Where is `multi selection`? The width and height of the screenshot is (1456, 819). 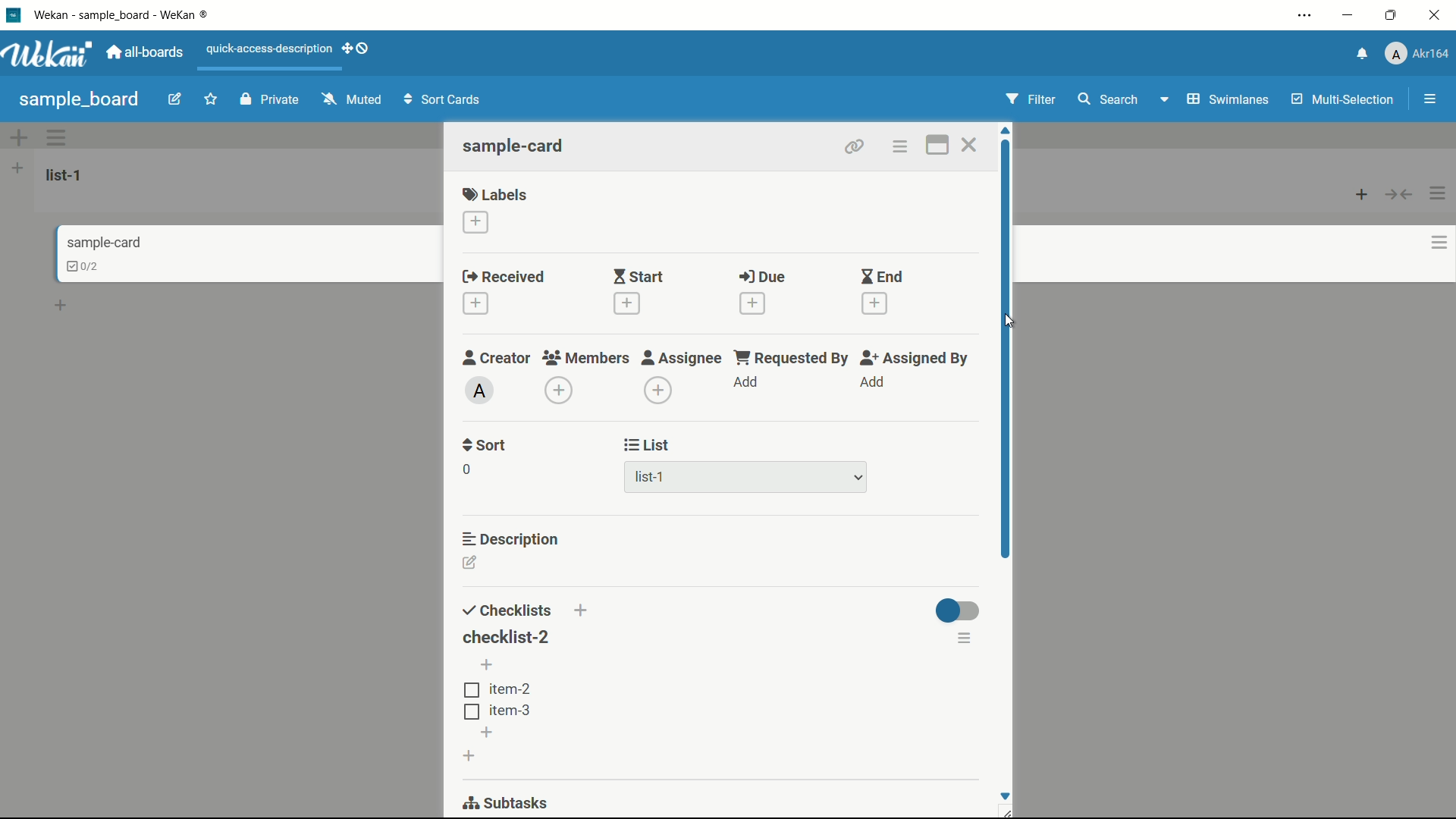 multi selection is located at coordinates (1341, 101).